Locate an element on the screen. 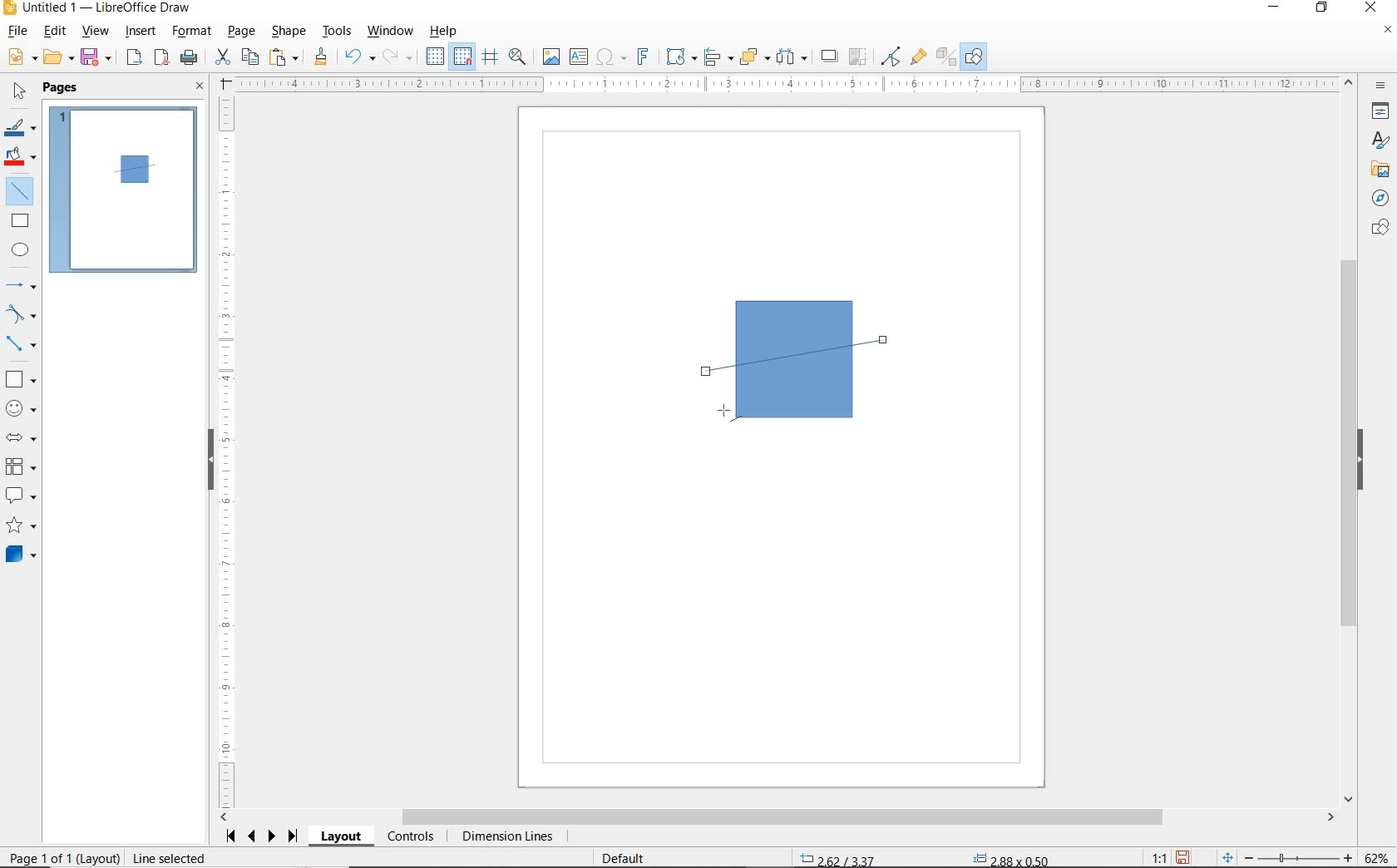 The height and width of the screenshot is (868, 1397). STYLES is located at coordinates (1376, 141).